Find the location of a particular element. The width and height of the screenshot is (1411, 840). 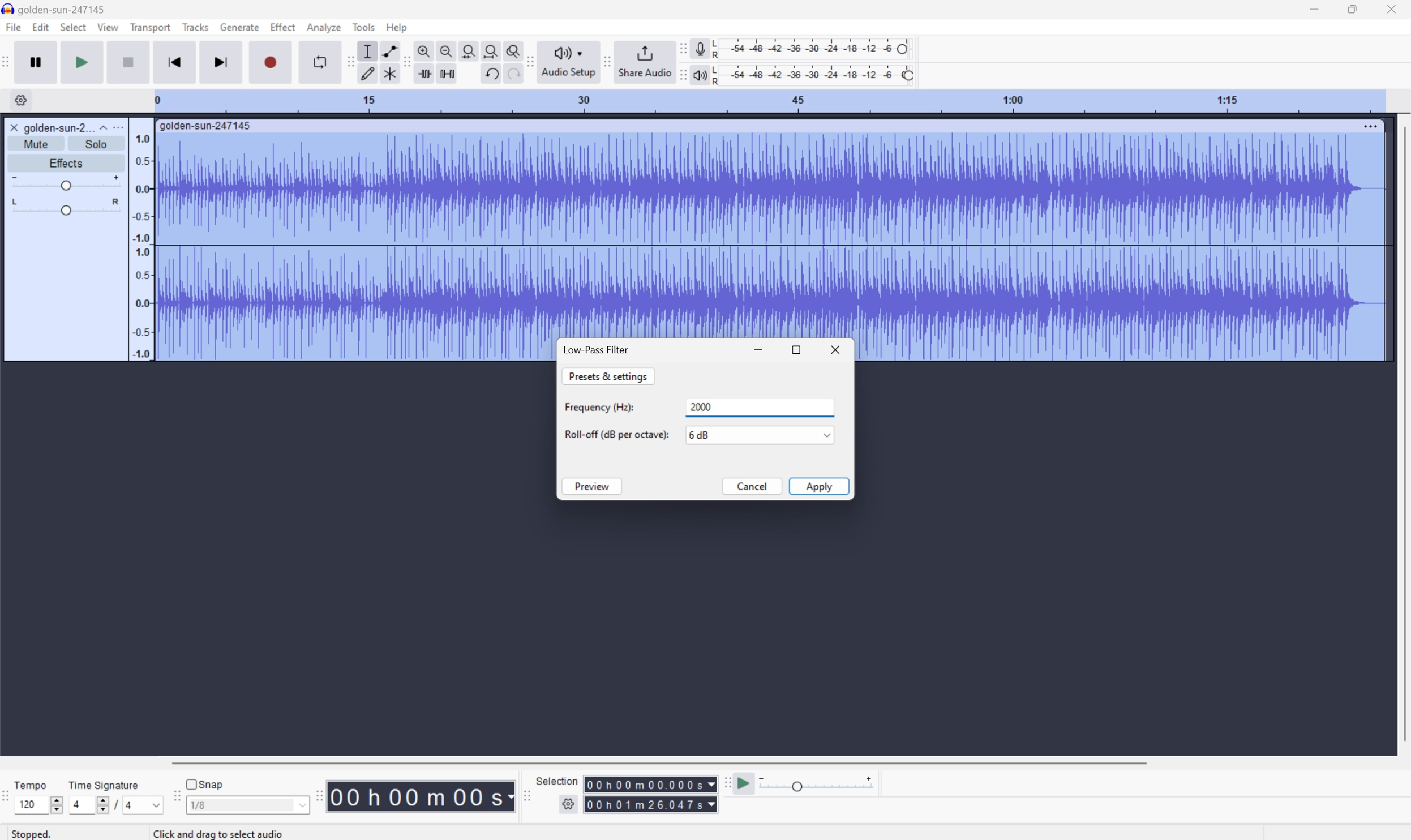

Apply is located at coordinates (820, 486).